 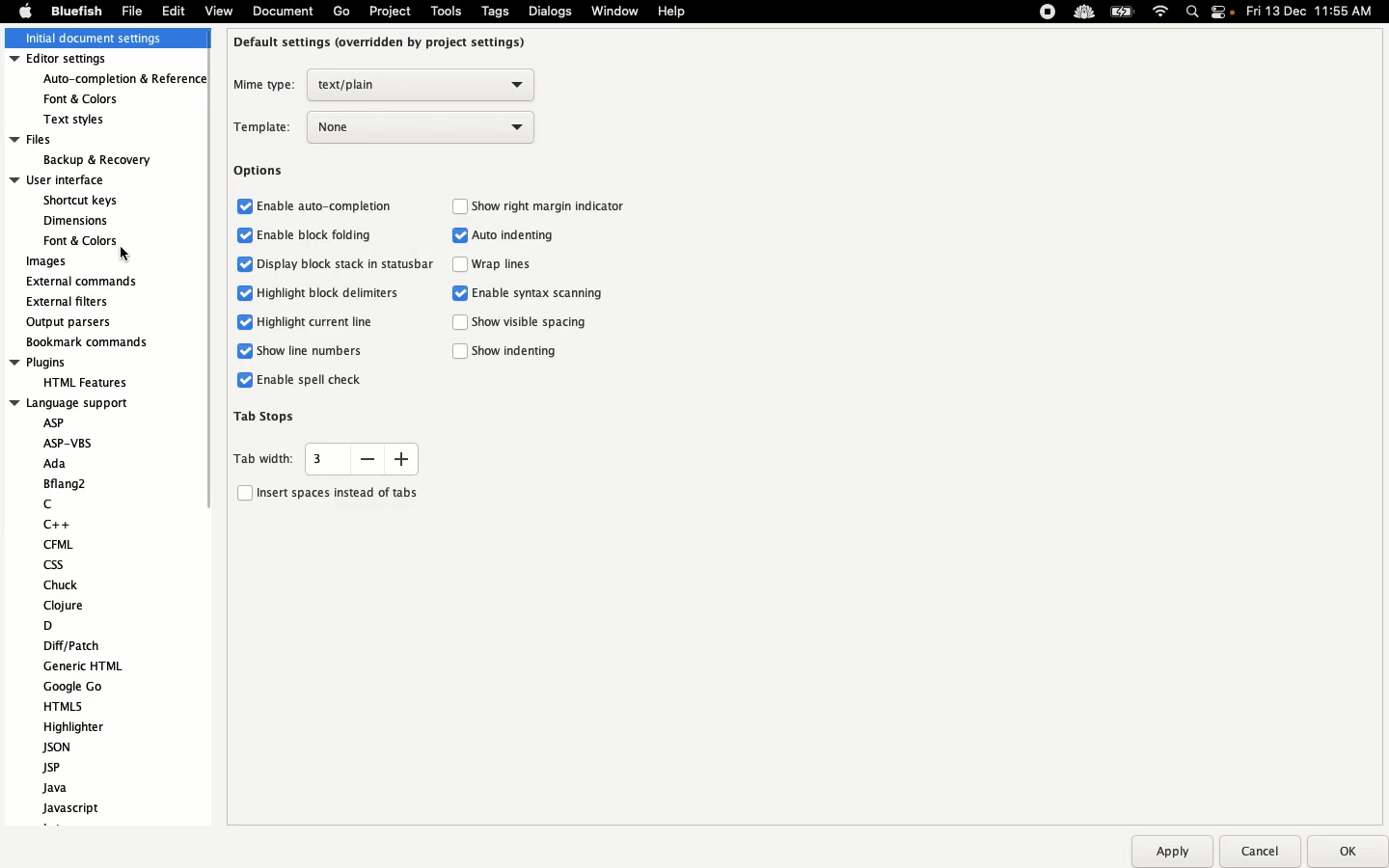 I want to click on Show right margin indicator, so click(x=542, y=205).